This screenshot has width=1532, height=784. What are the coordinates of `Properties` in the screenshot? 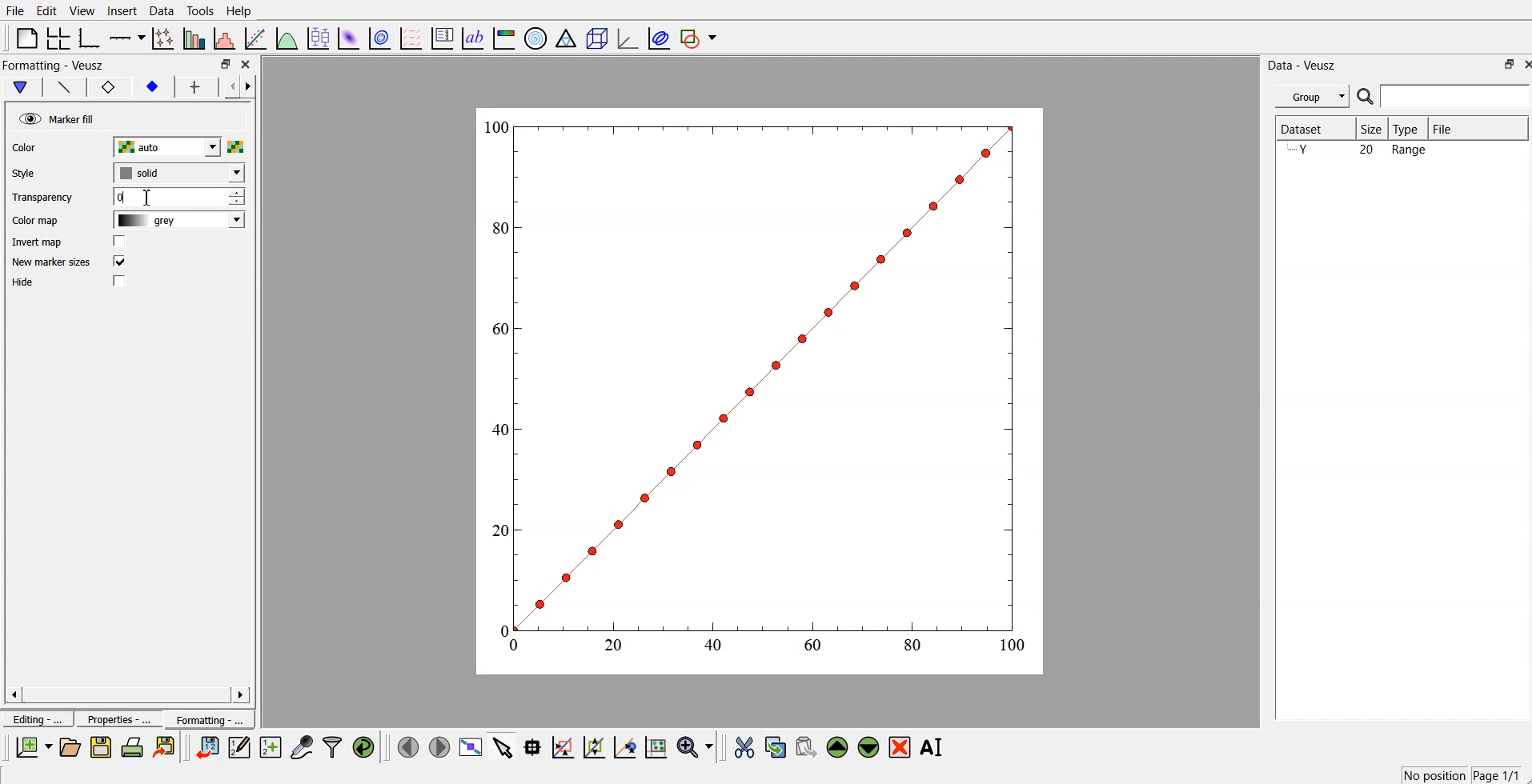 It's located at (113, 719).